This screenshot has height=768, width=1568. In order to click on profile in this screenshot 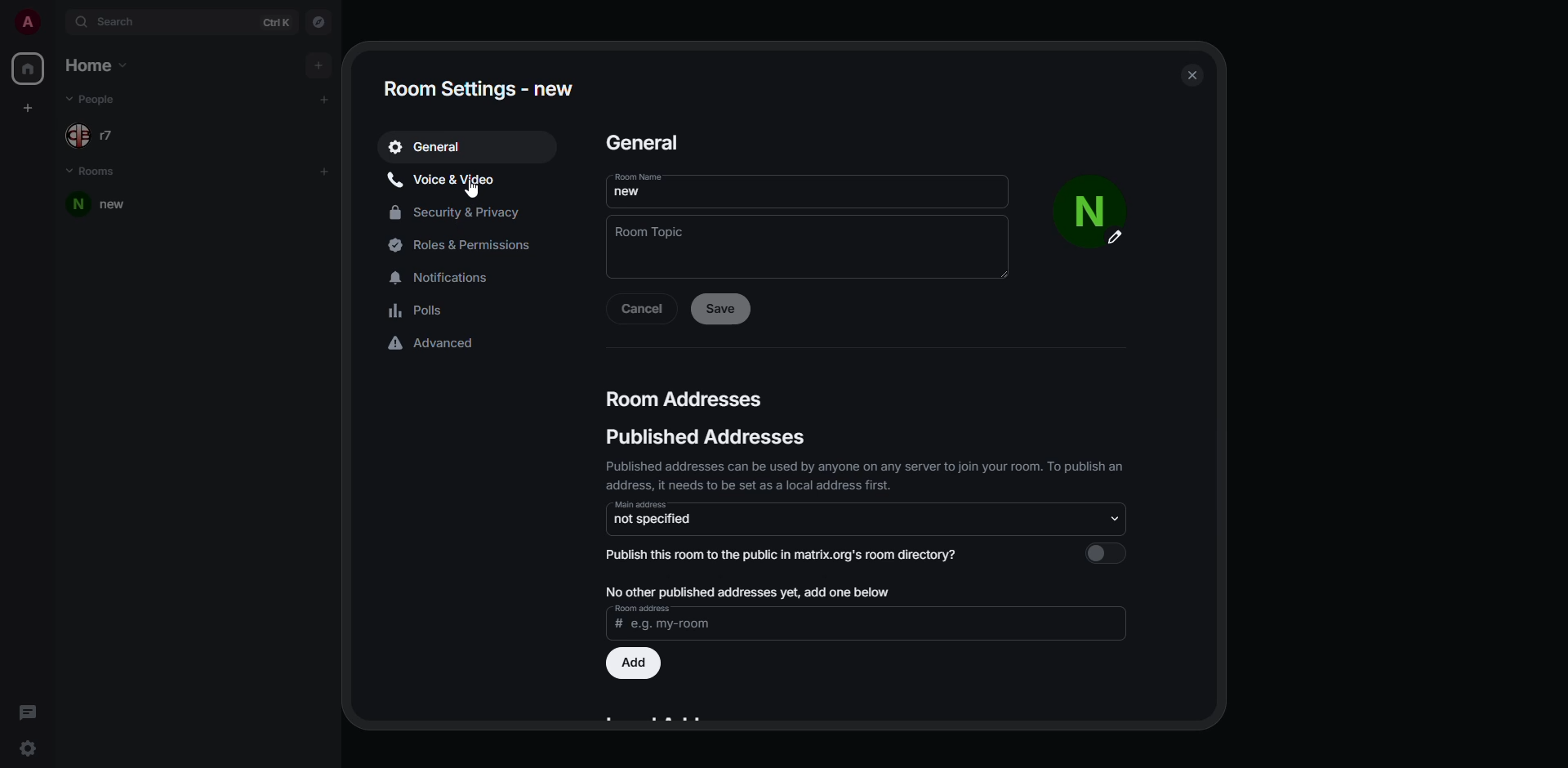, I will do `click(1093, 216)`.